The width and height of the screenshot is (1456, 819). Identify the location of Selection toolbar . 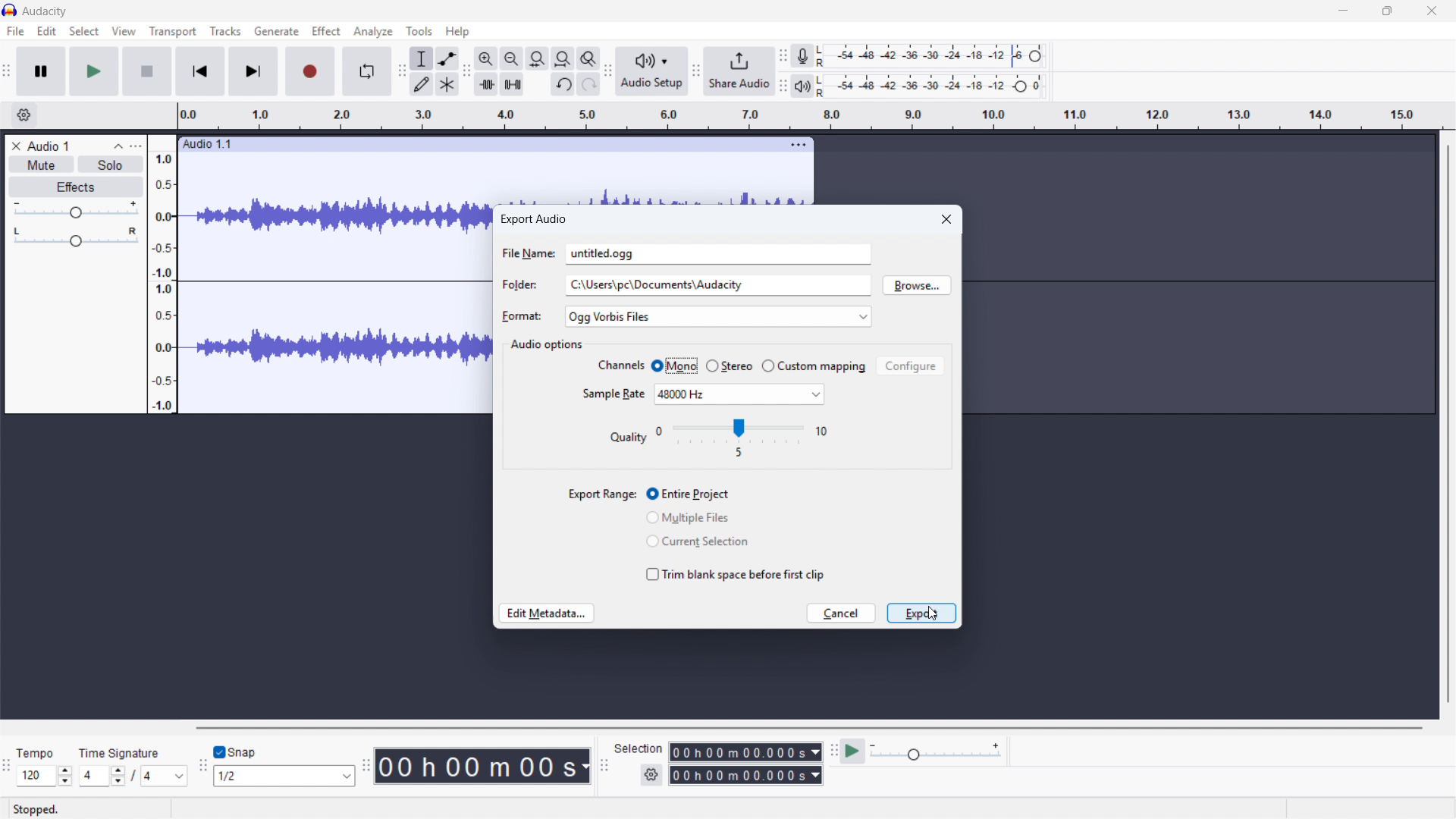
(604, 764).